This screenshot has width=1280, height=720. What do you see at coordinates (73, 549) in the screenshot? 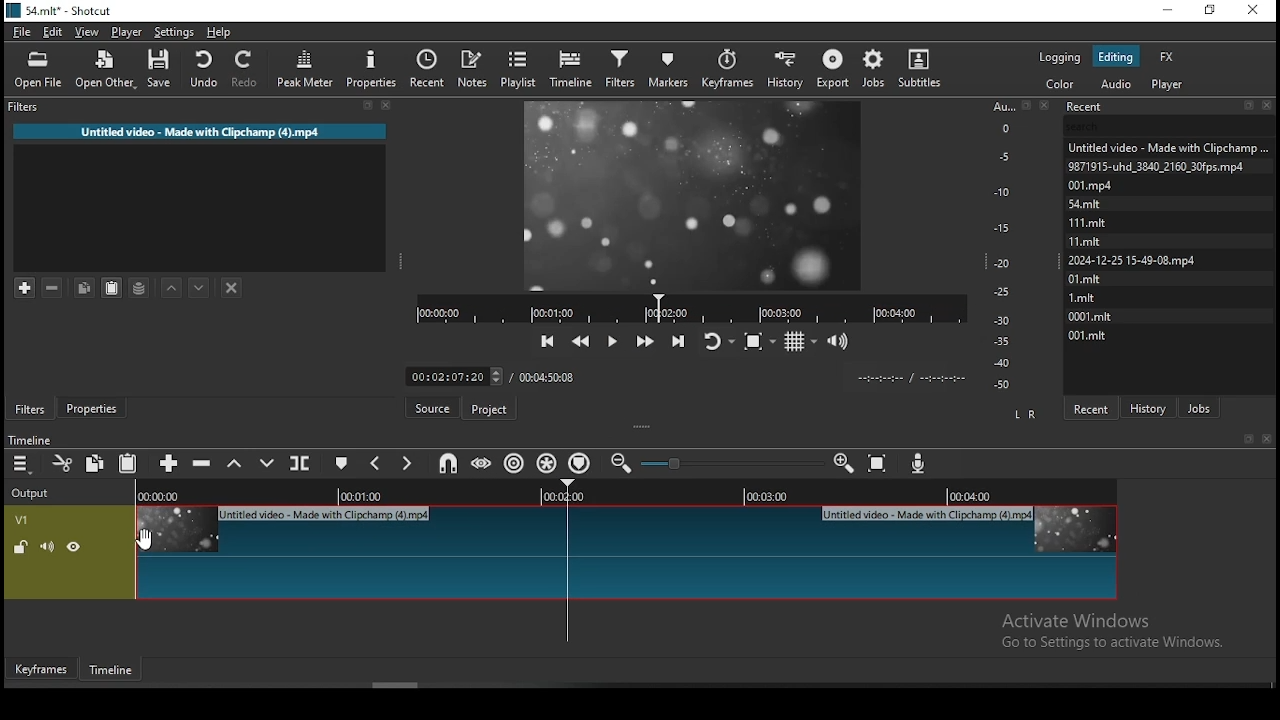
I see `(un)hide` at bounding box center [73, 549].